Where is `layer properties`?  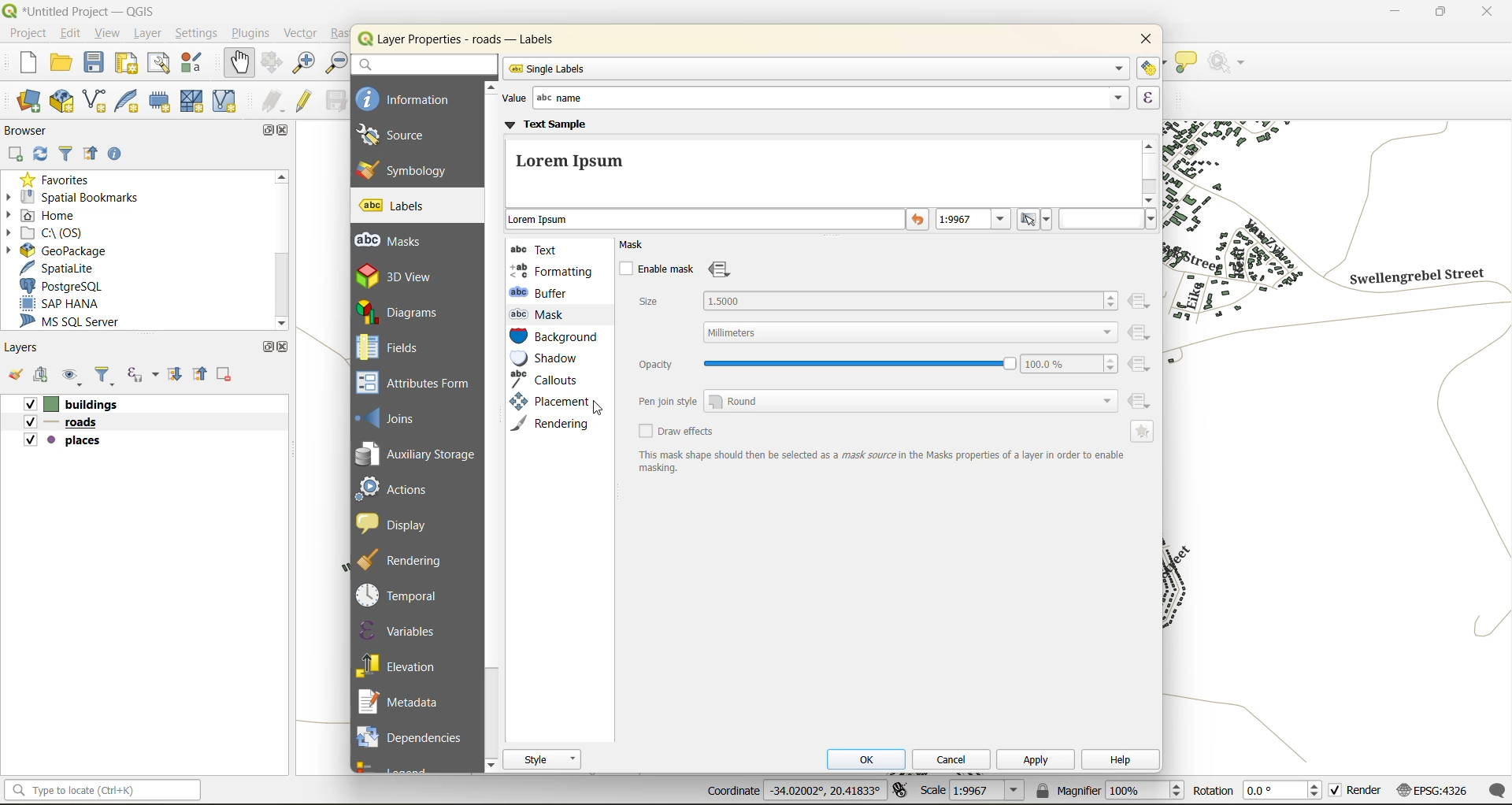 layer properties is located at coordinates (472, 39).